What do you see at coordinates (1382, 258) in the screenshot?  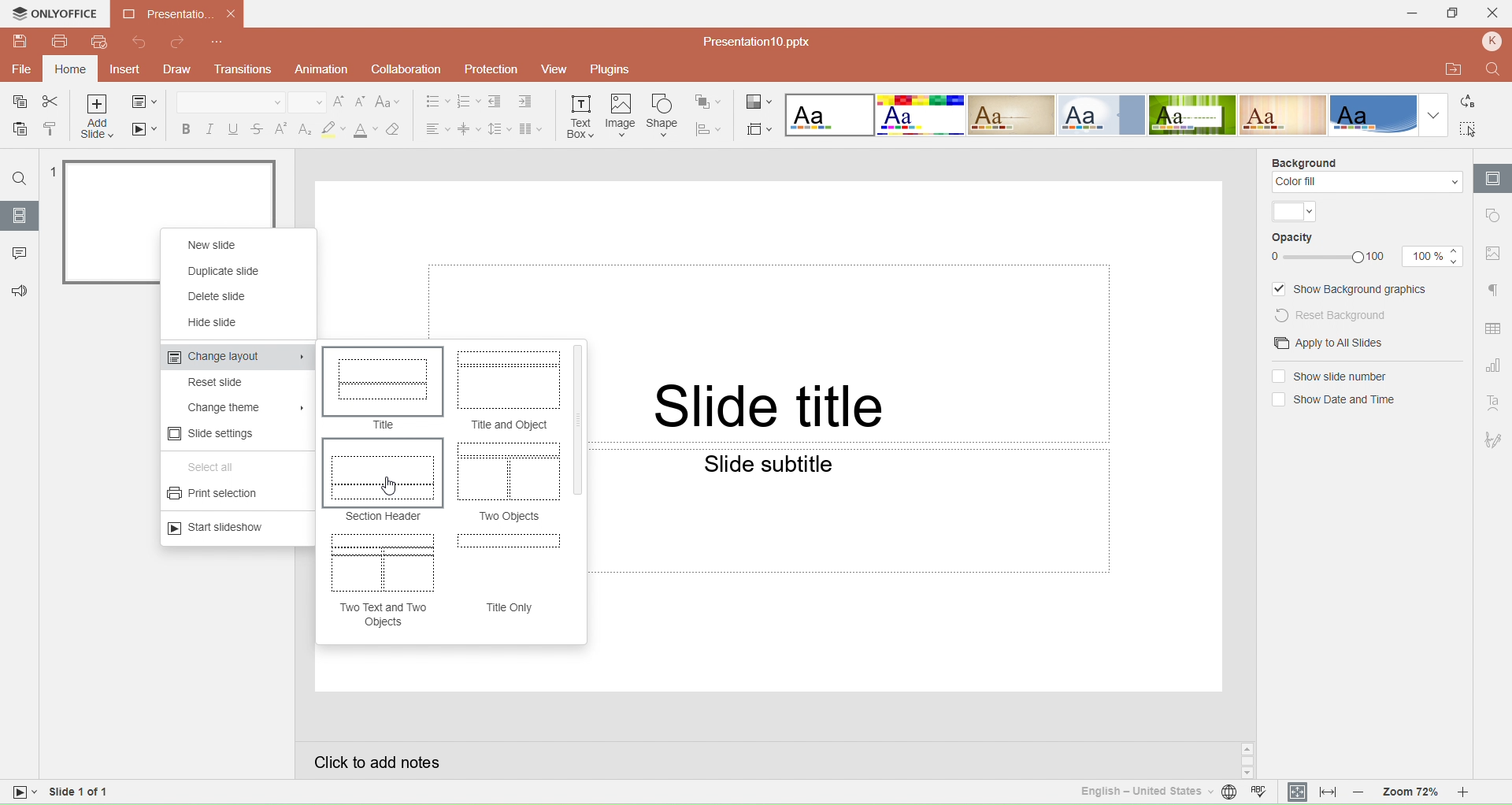 I see `100` at bounding box center [1382, 258].